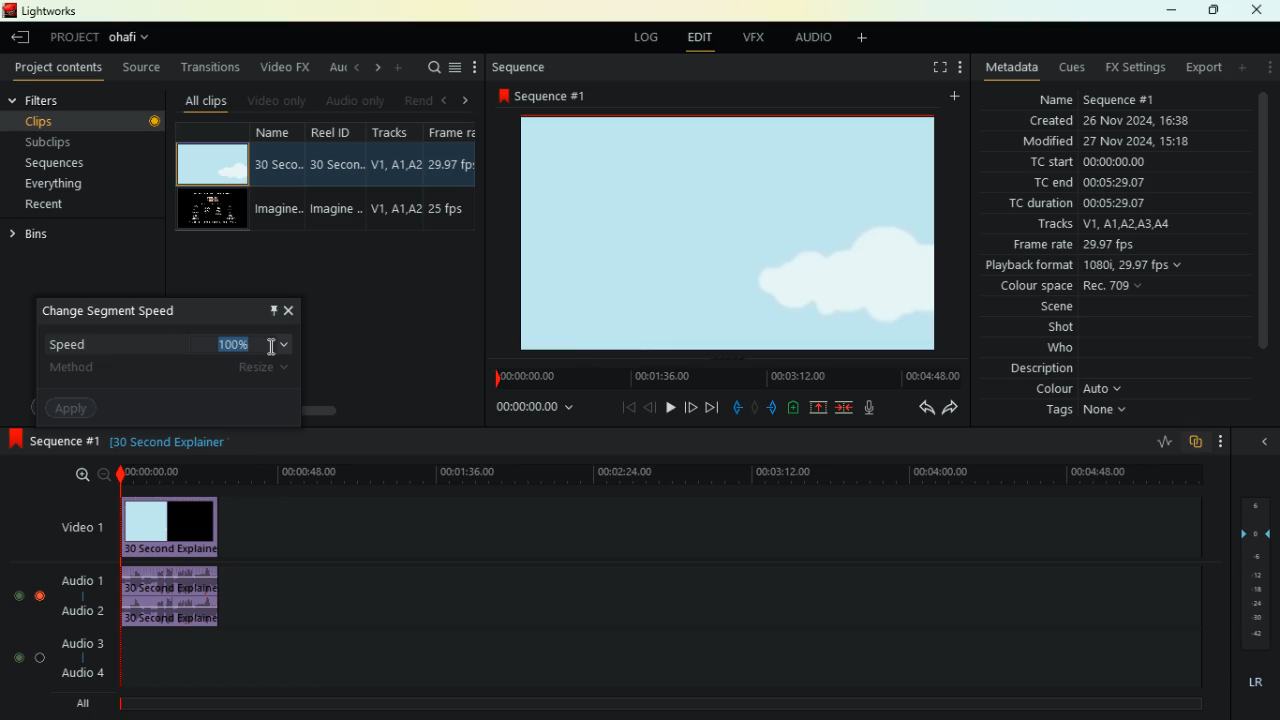  Describe the element at coordinates (63, 68) in the screenshot. I see `project contents` at that location.